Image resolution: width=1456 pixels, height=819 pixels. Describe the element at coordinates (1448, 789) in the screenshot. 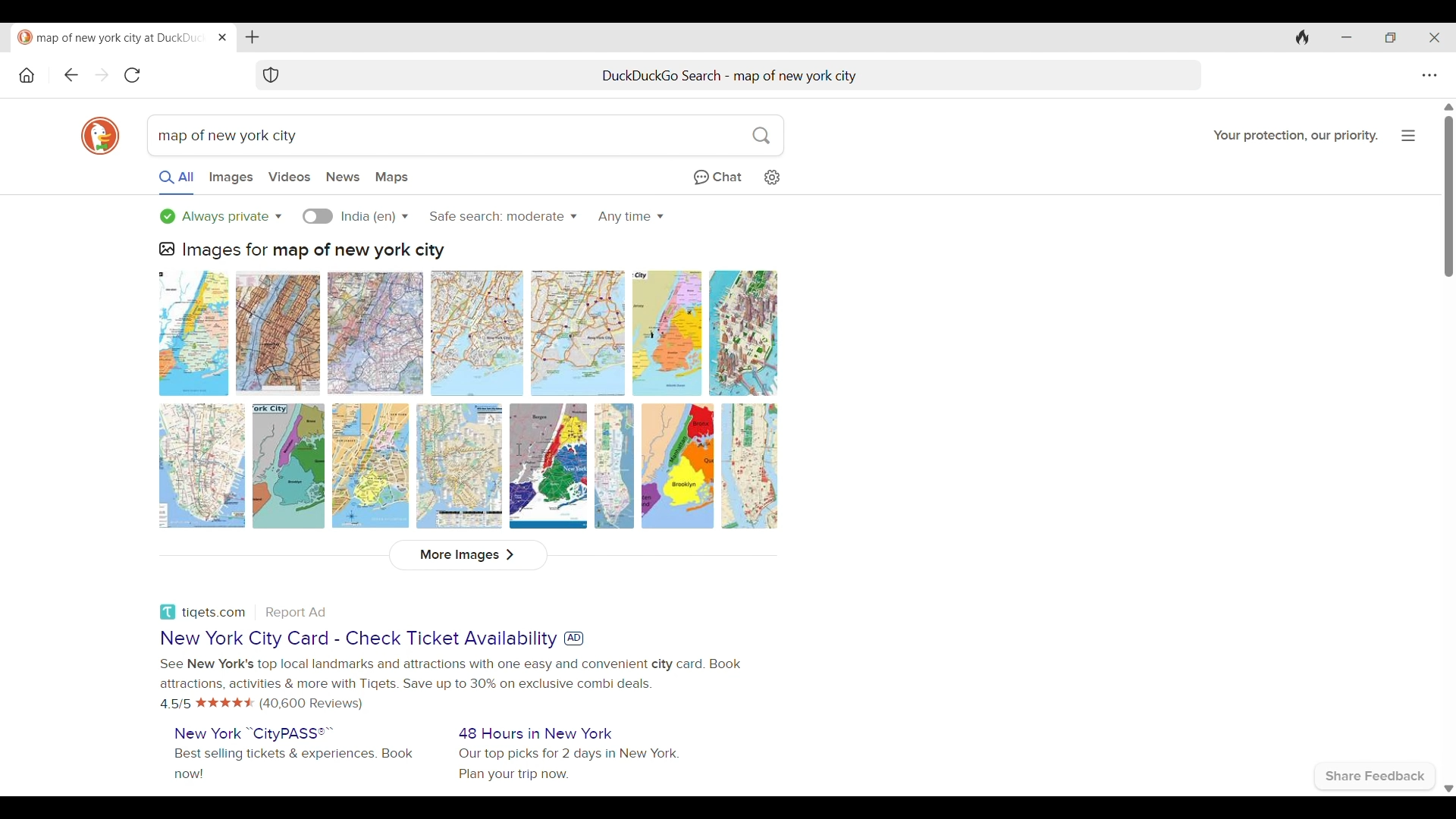

I see `Quick slide to bottom` at that location.